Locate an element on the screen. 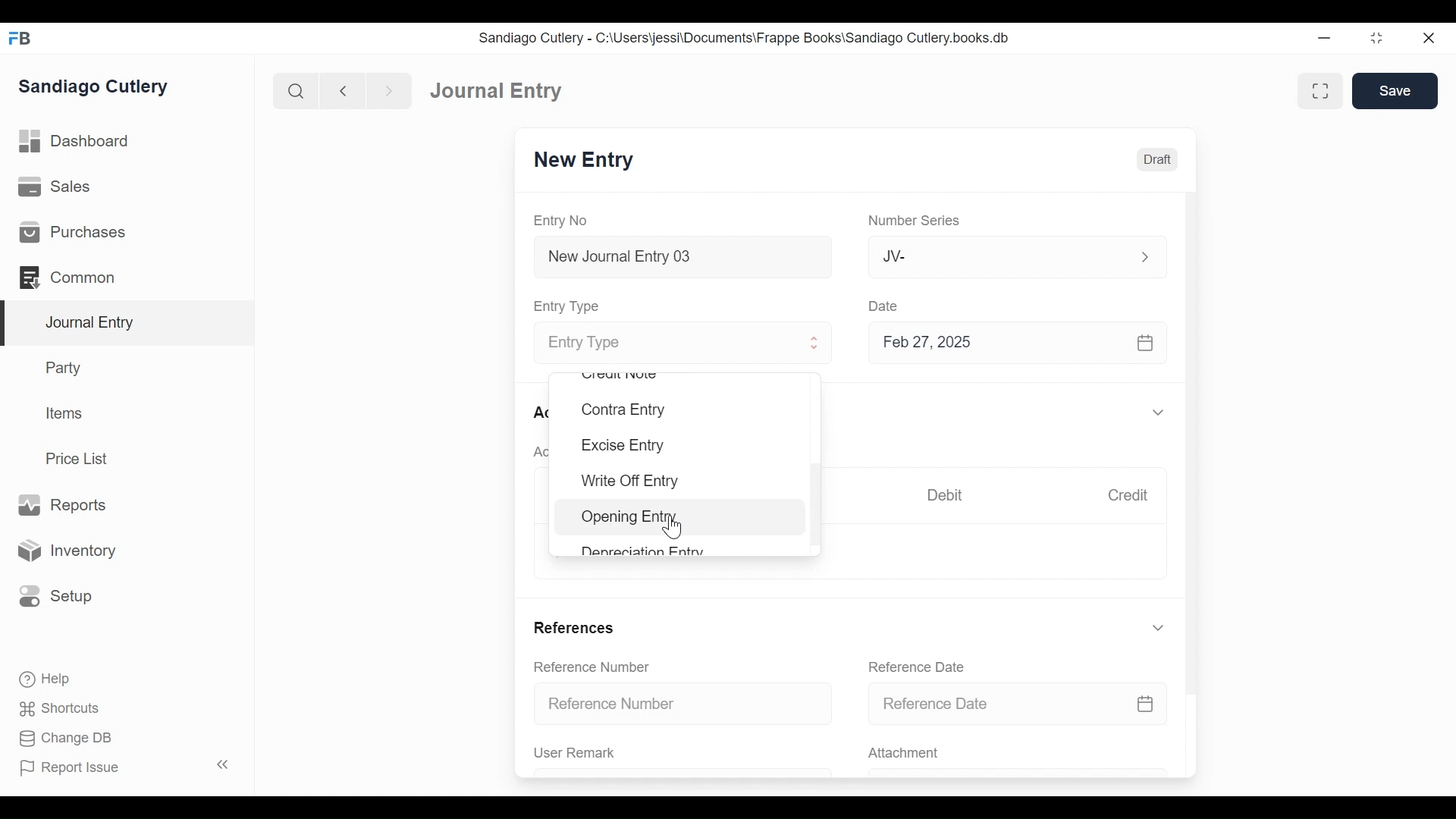 The image size is (1456, 819). Setup is located at coordinates (56, 597).